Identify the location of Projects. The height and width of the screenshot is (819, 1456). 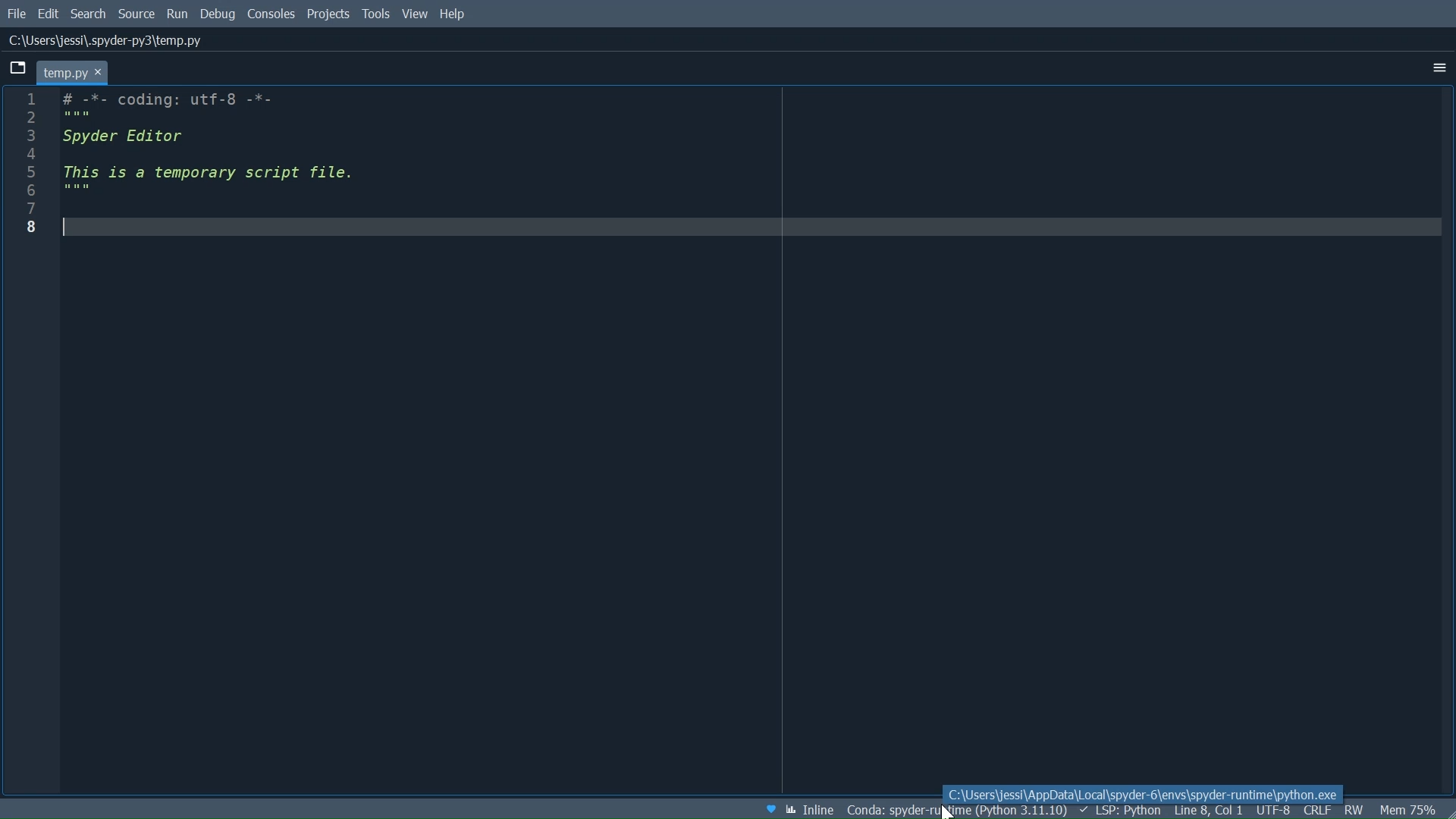
(329, 14).